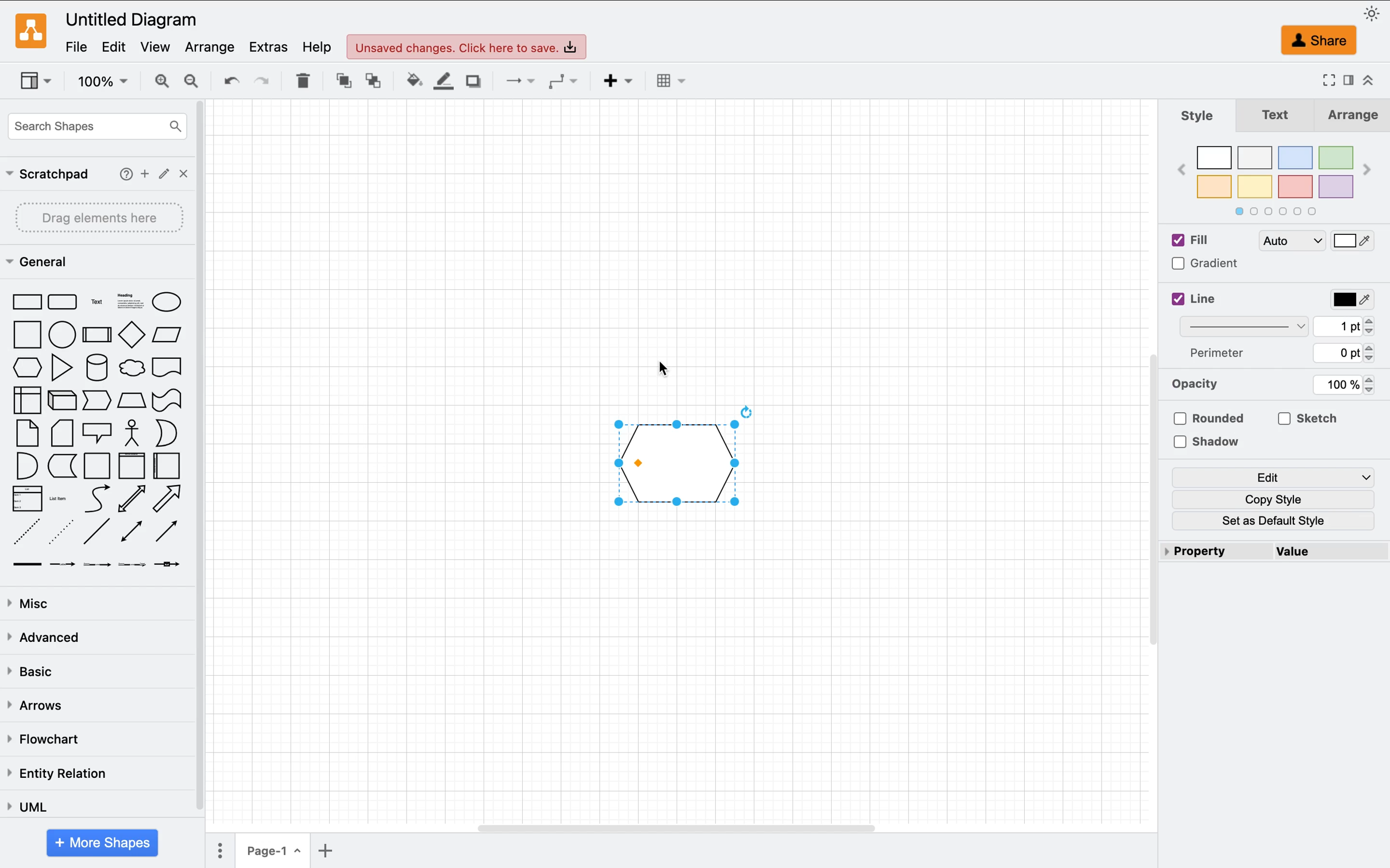 The image size is (1390, 868). I want to click on process, so click(96, 333).